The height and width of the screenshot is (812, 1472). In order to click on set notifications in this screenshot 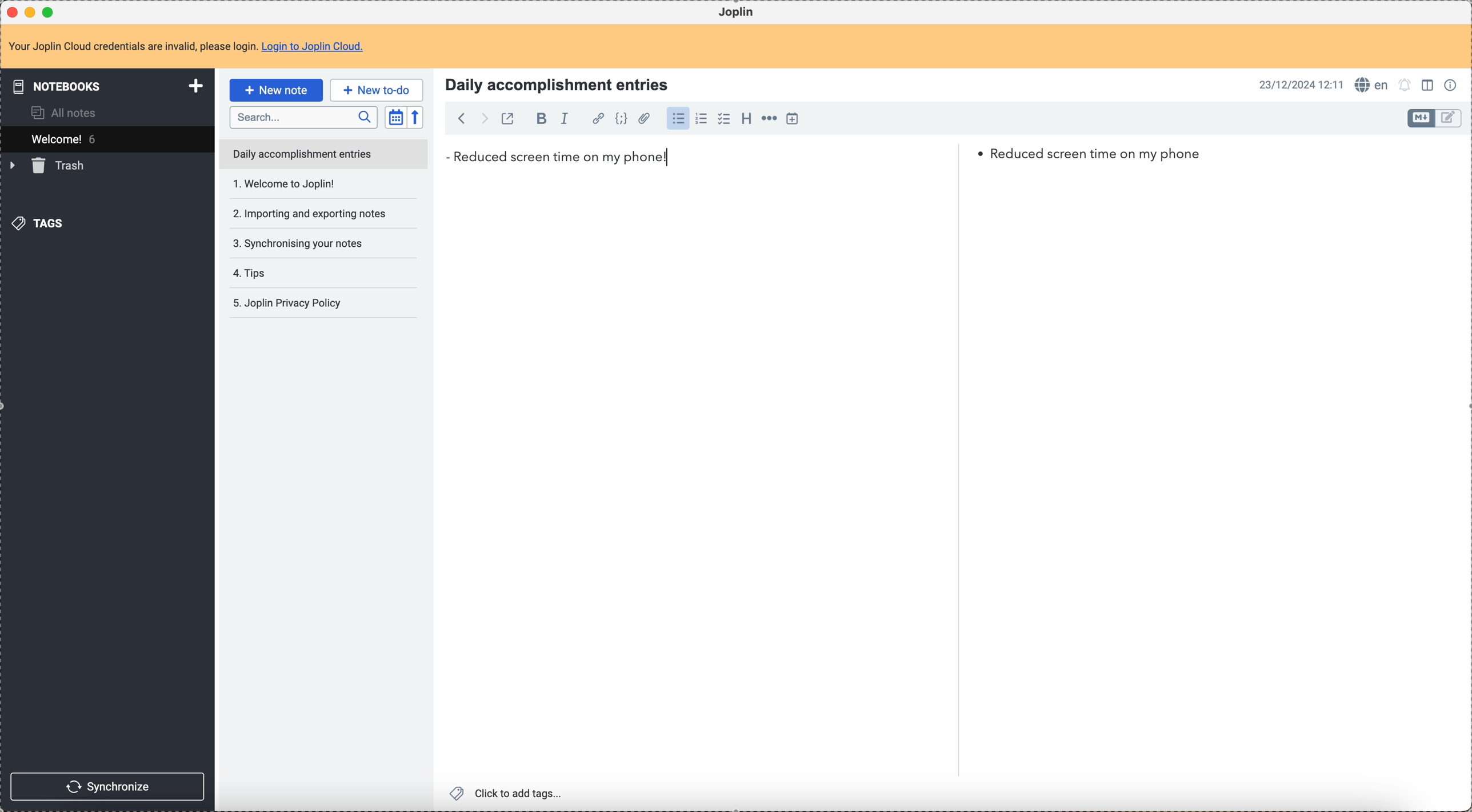, I will do `click(1406, 86)`.